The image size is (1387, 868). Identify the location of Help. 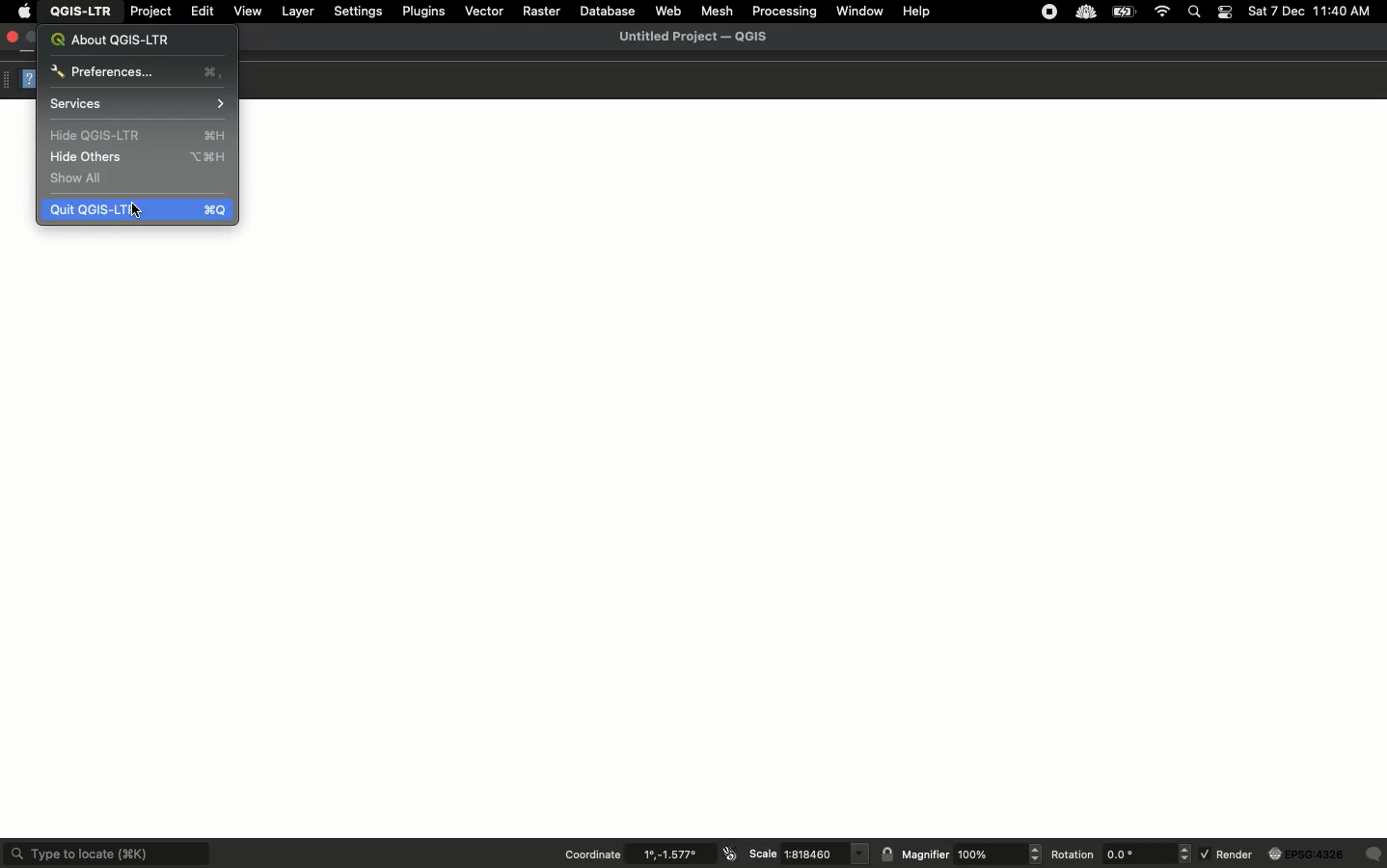
(917, 12).